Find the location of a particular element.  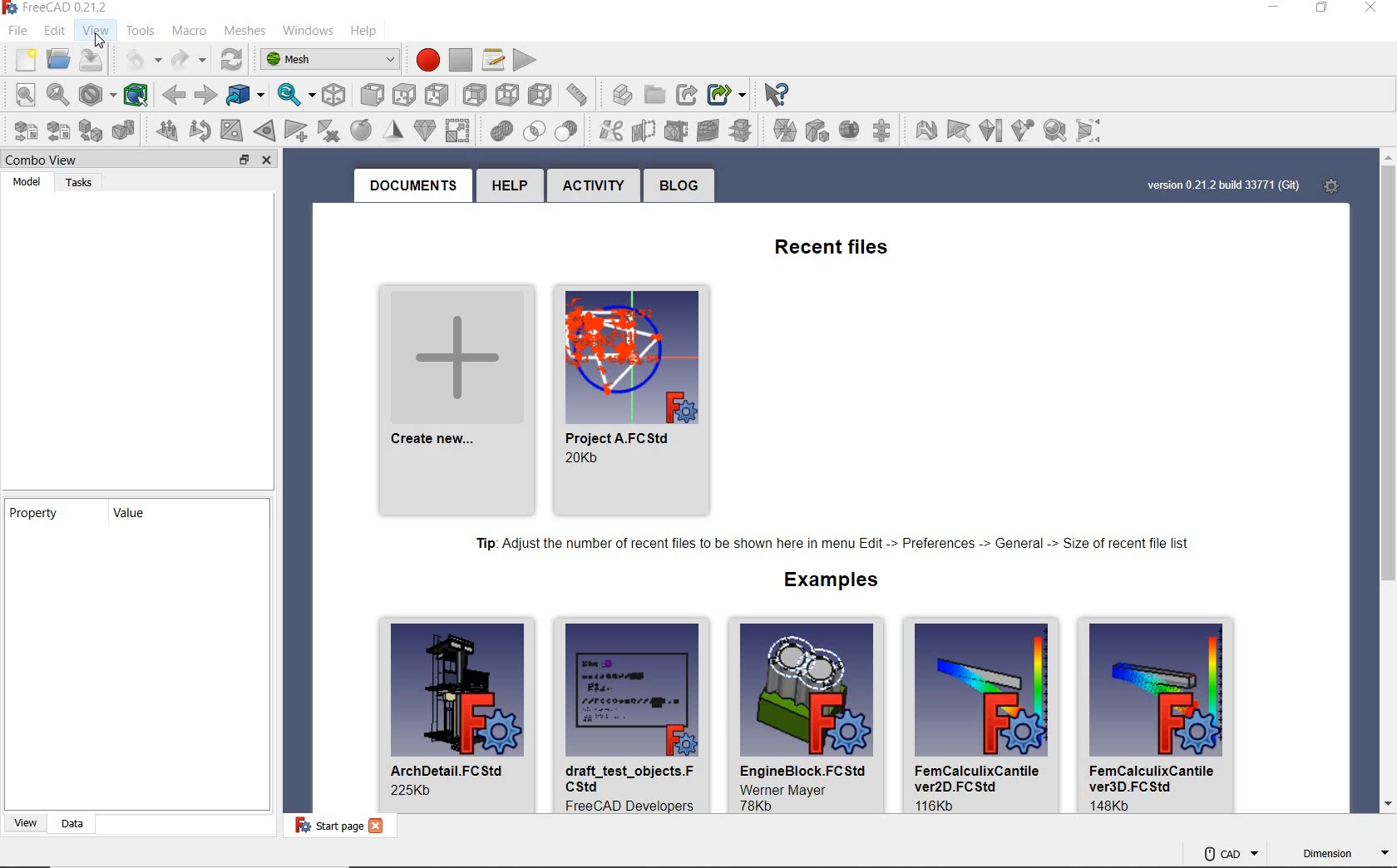

system name is located at coordinates (58, 8).